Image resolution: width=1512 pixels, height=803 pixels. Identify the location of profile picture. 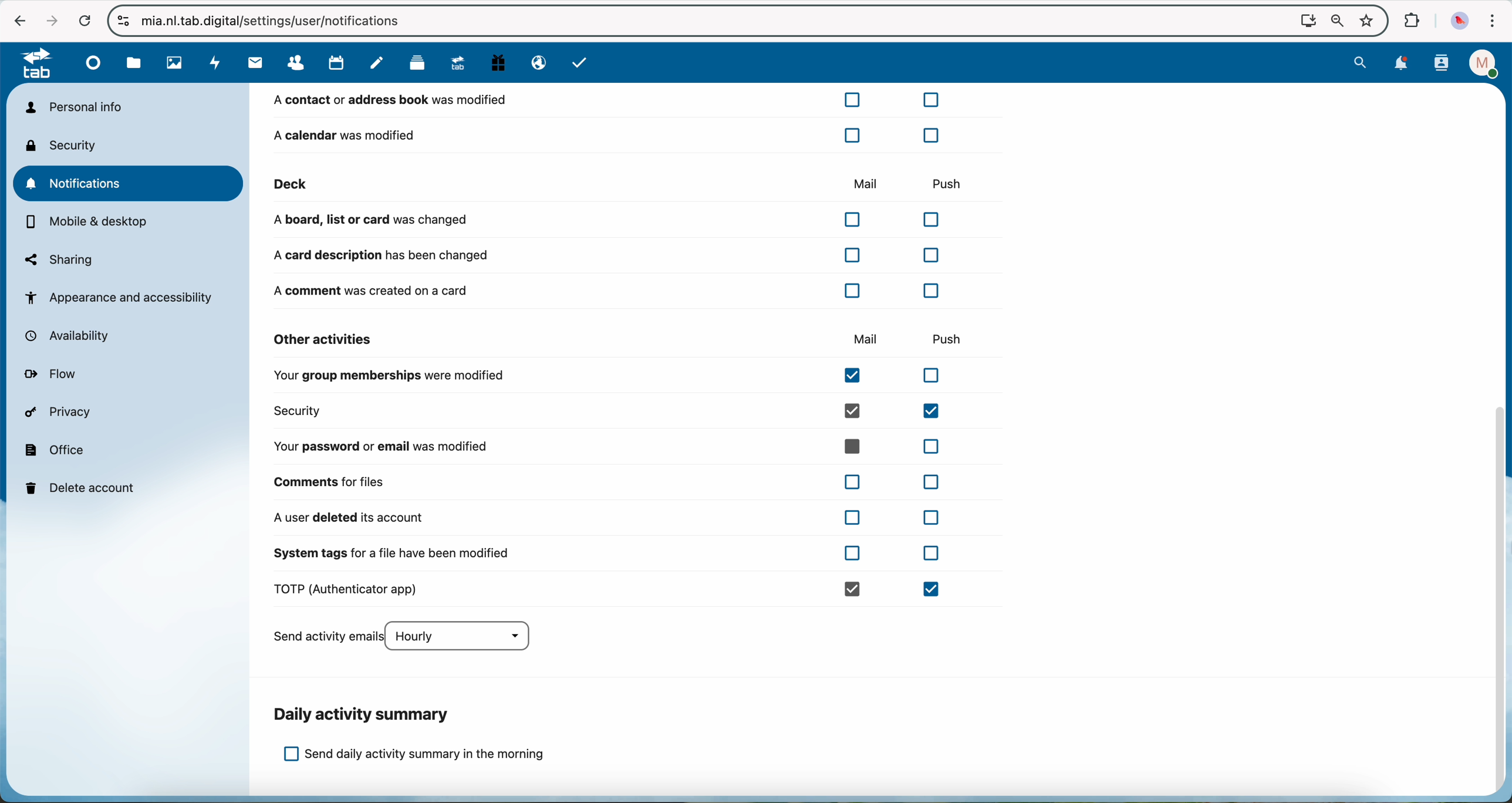
(1460, 20).